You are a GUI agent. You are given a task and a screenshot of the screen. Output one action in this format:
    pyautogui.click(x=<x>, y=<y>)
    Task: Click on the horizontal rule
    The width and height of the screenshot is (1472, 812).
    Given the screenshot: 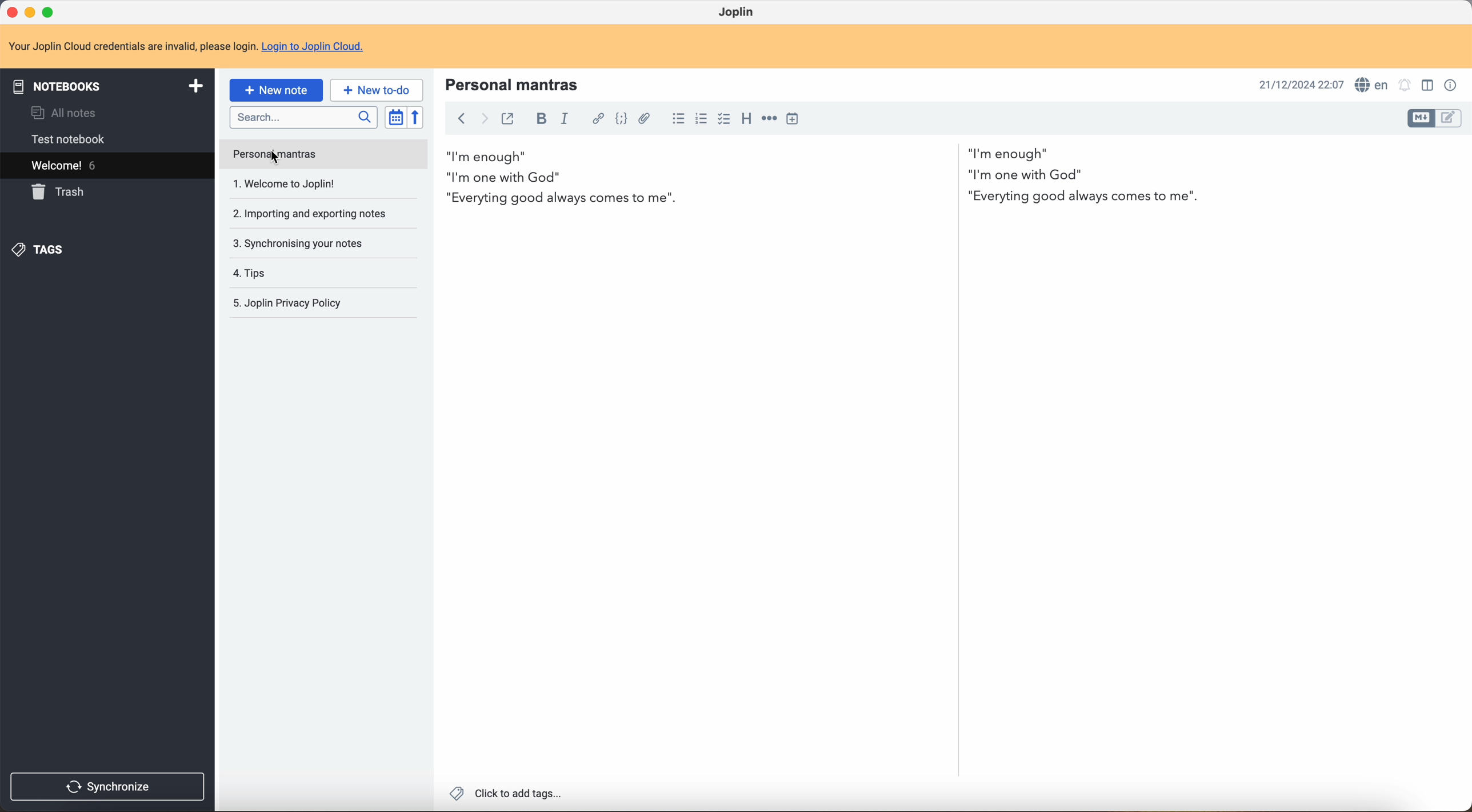 What is the action you would take?
    pyautogui.click(x=770, y=119)
    